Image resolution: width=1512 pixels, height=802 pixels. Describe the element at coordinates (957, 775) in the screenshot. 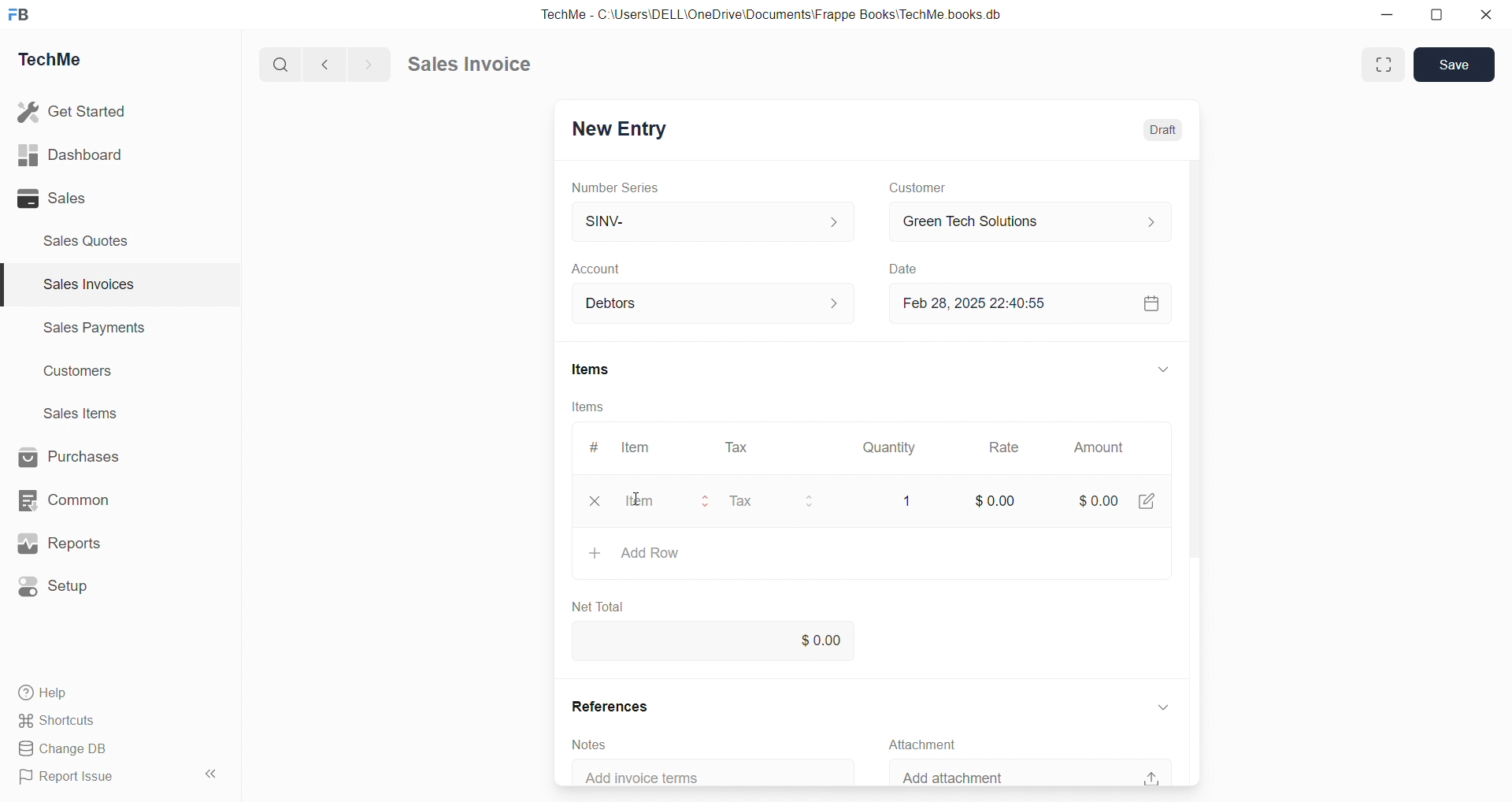

I see `Add attachment` at that location.